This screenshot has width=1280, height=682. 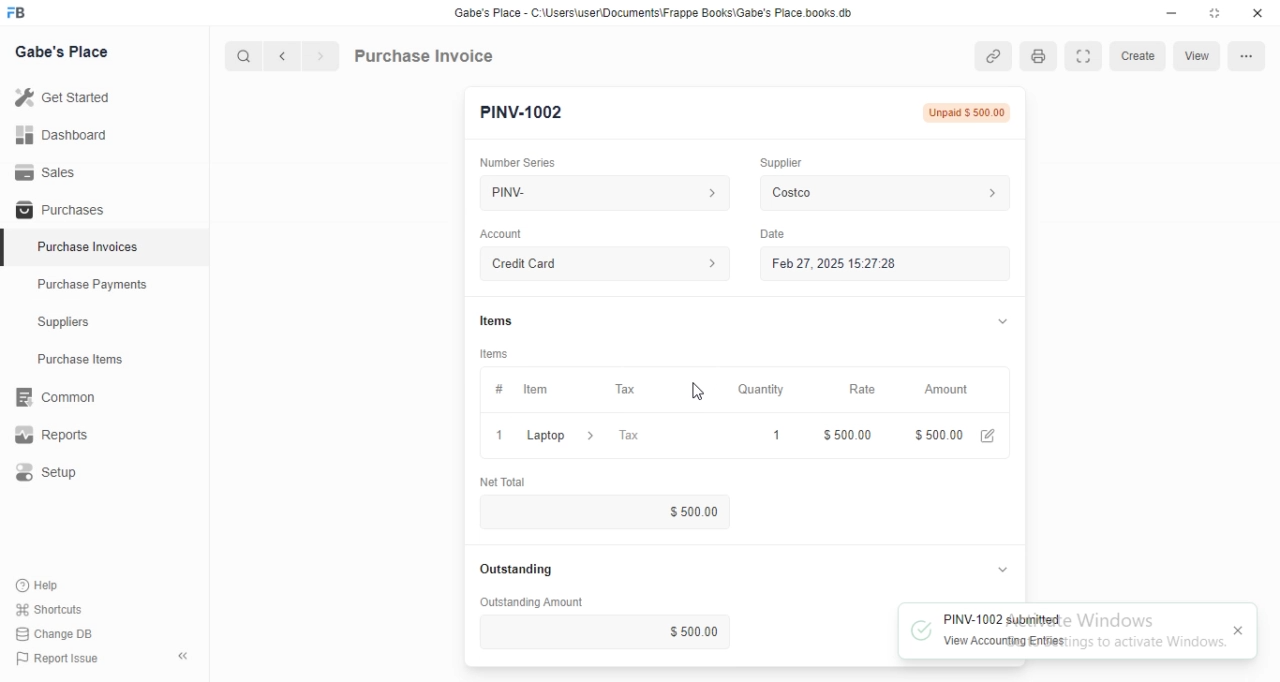 What do you see at coordinates (988, 436) in the screenshot?
I see `Edit` at bounding box center [988, 436].